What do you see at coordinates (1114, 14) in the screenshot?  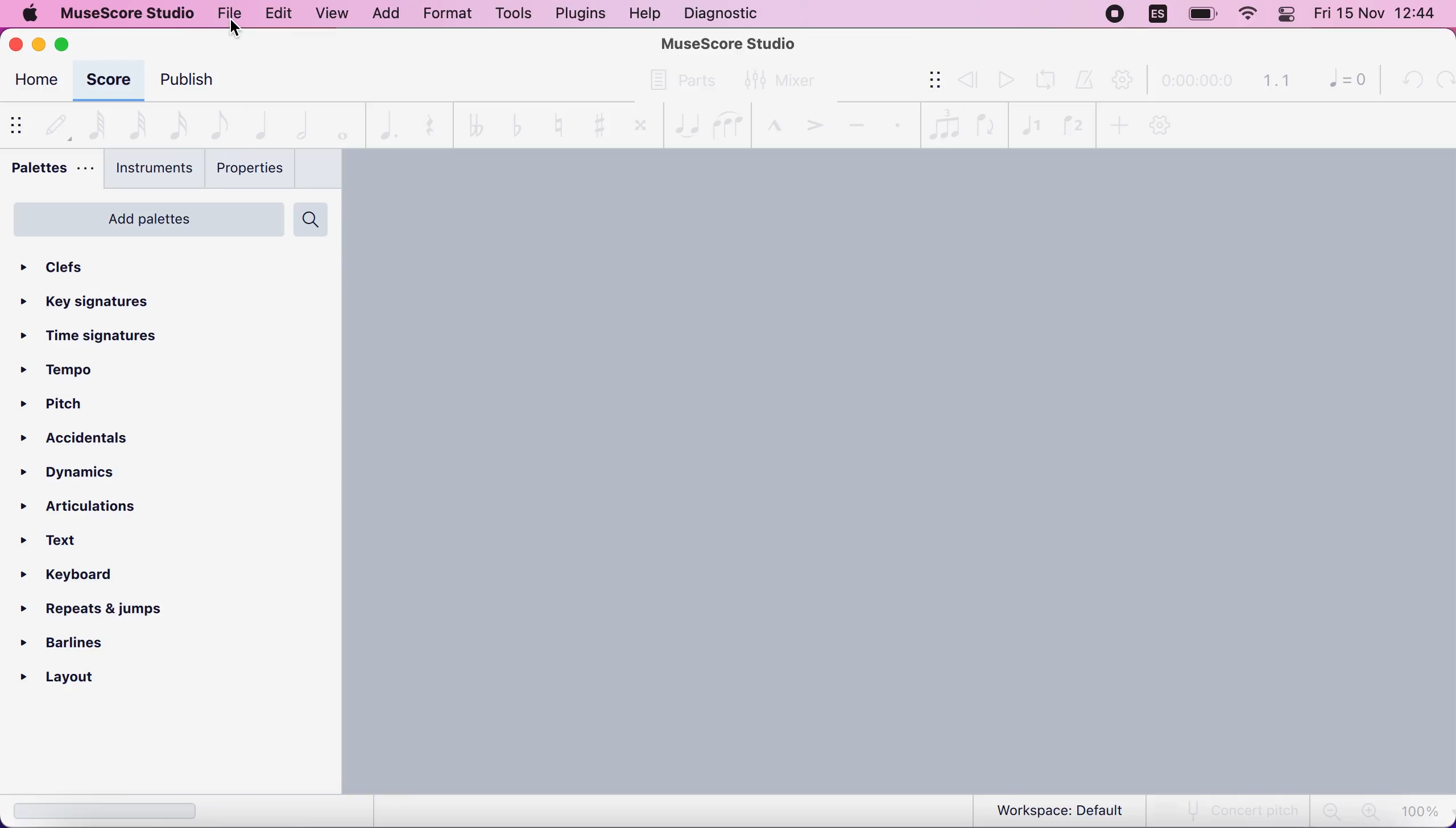 I see `recording stopped` at bounding box center [1114, 14].